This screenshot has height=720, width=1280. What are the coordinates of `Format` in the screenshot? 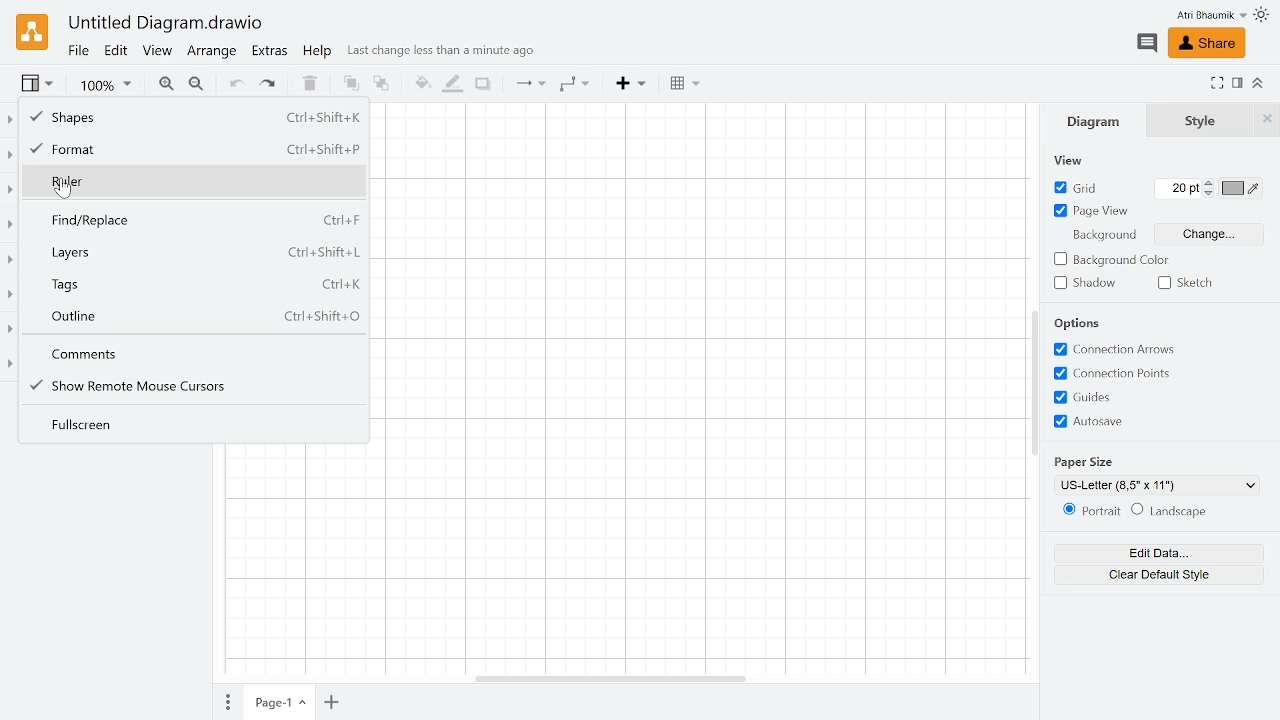 It's located at (1238, 83).